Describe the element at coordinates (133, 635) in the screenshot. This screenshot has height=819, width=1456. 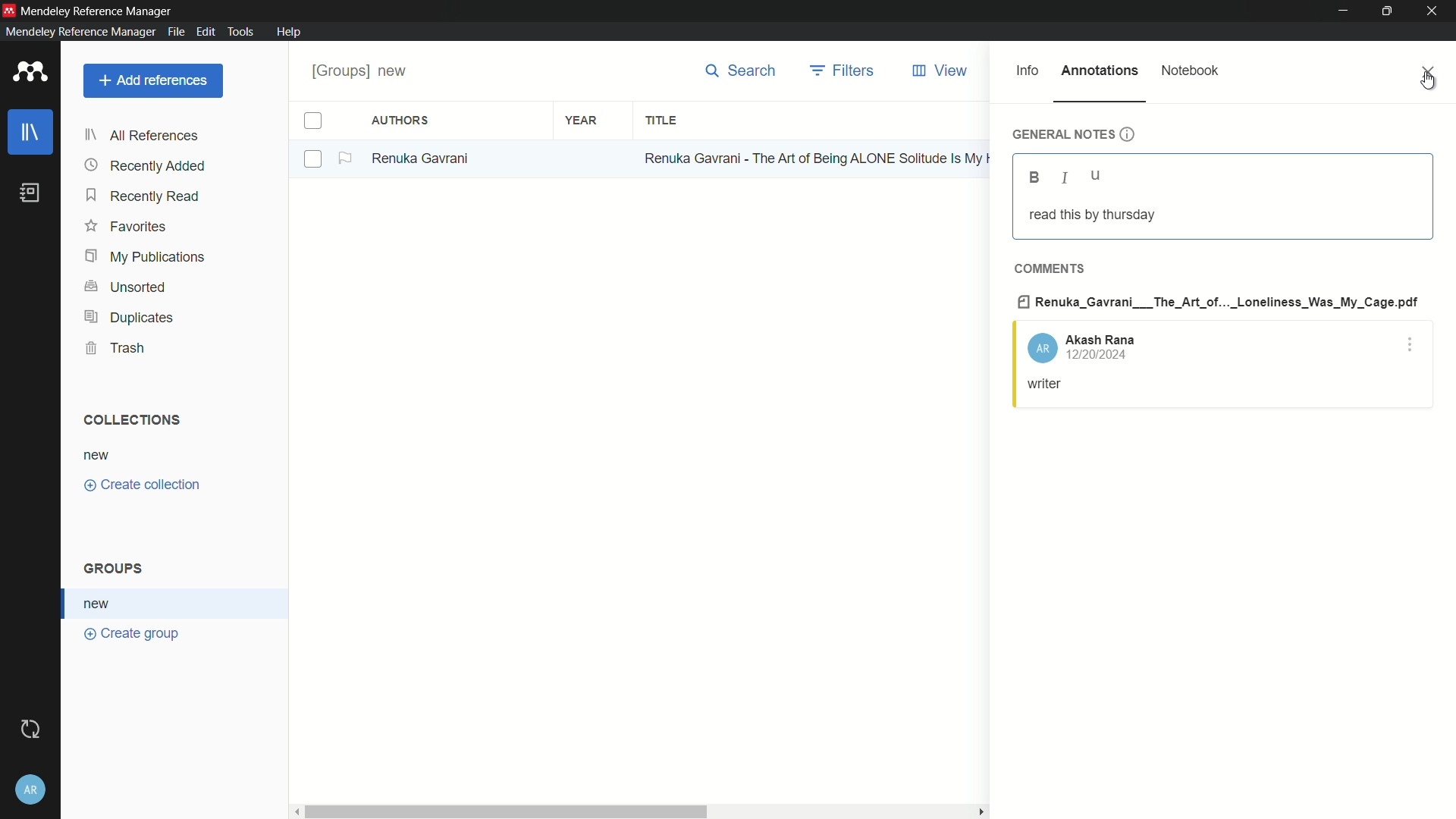
I see `create group` at that location.